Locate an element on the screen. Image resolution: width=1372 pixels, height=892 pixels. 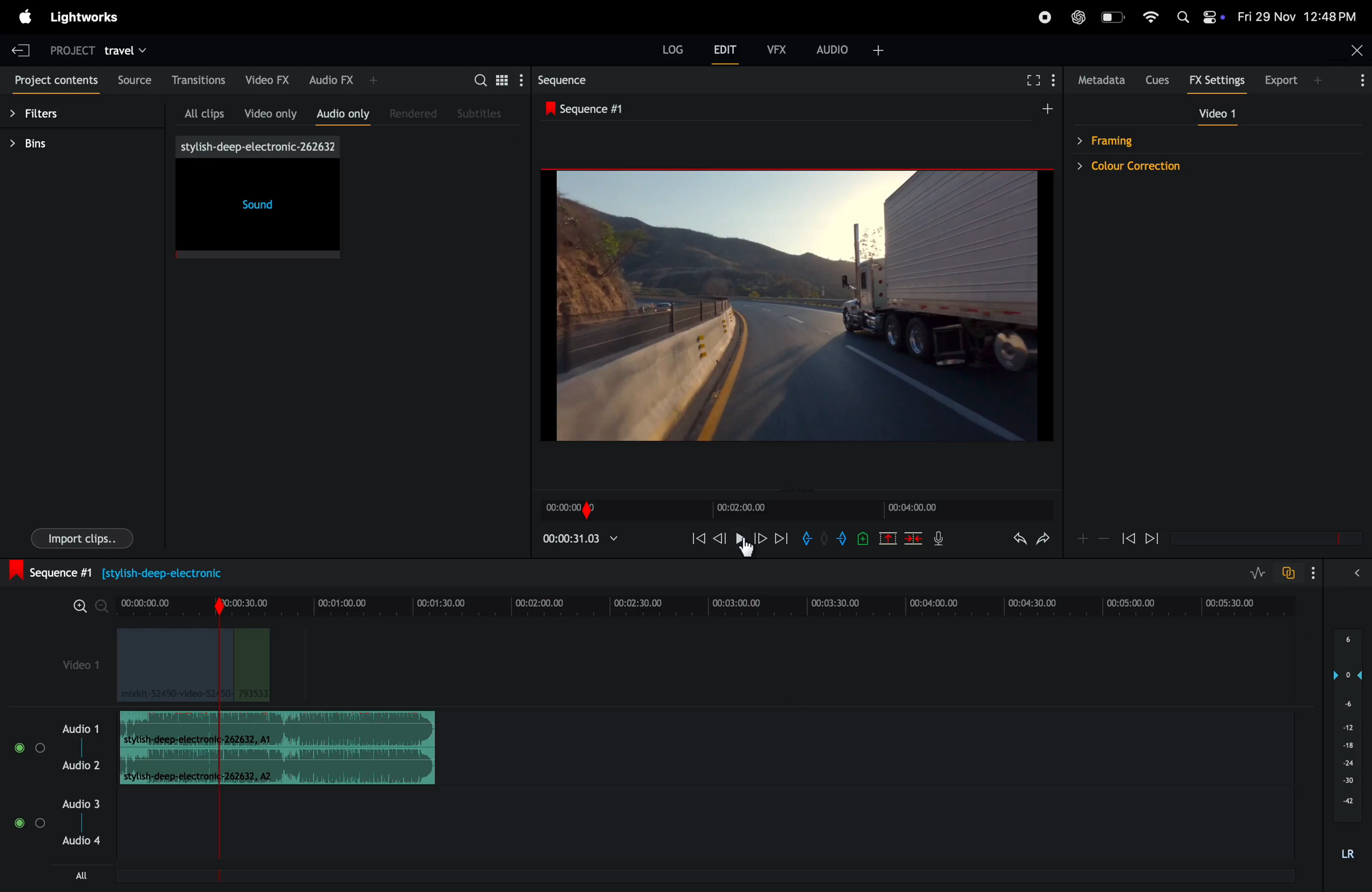
audio fx is located at coordinates (345, 80).